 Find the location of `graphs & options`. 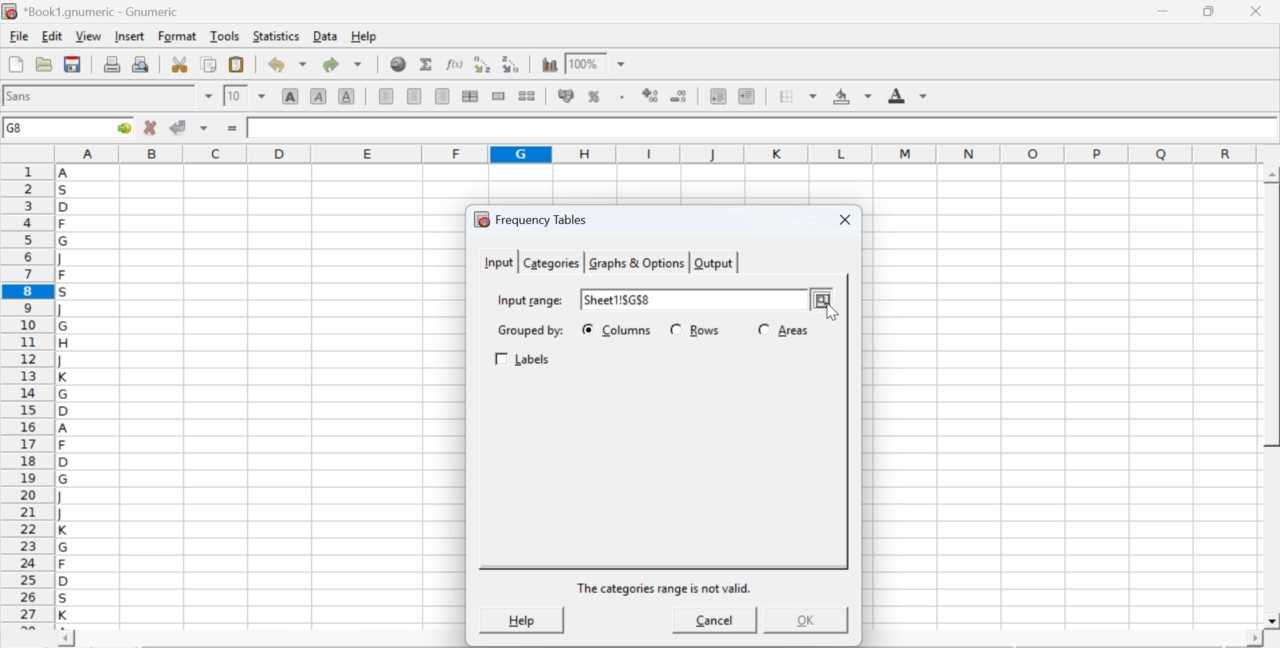

graphs & options is located at coordinates (638, 263).